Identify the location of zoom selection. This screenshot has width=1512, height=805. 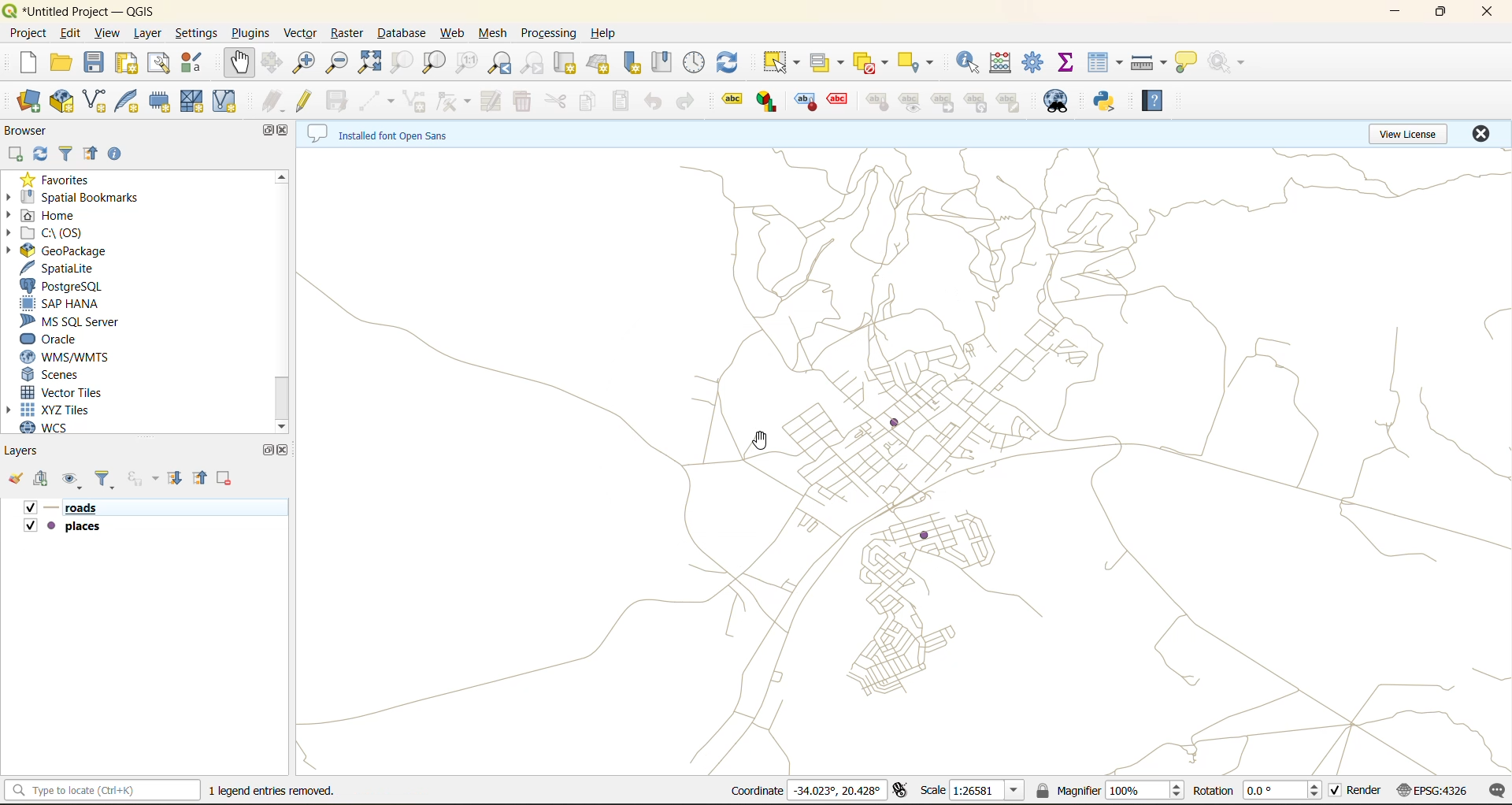
(402, 63).